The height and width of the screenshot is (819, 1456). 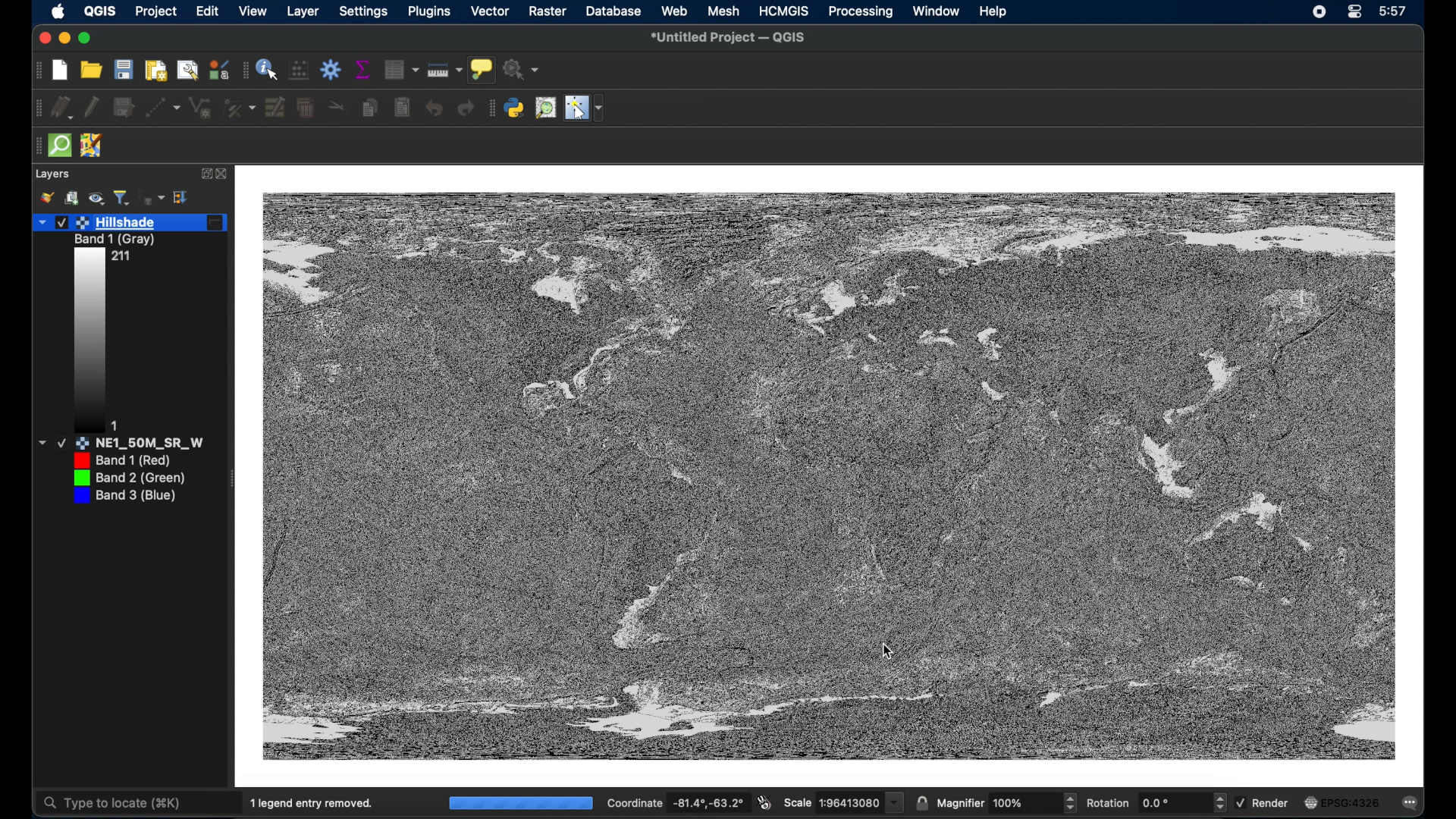 I want to click on Band 2 (Green), so click(x=140, y=481).